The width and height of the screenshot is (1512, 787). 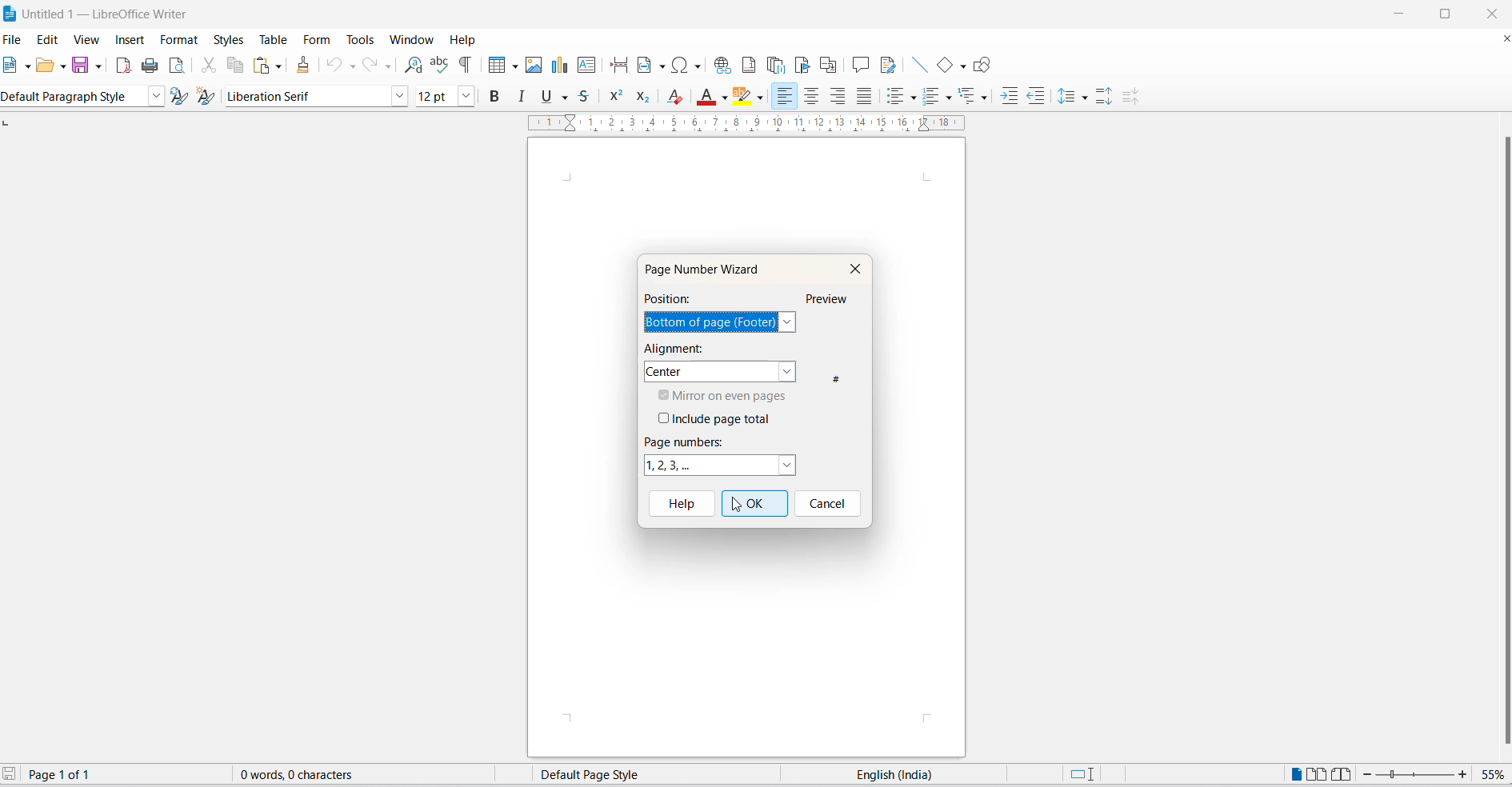 I want to click on single page view, so click(x=1292, y=774).